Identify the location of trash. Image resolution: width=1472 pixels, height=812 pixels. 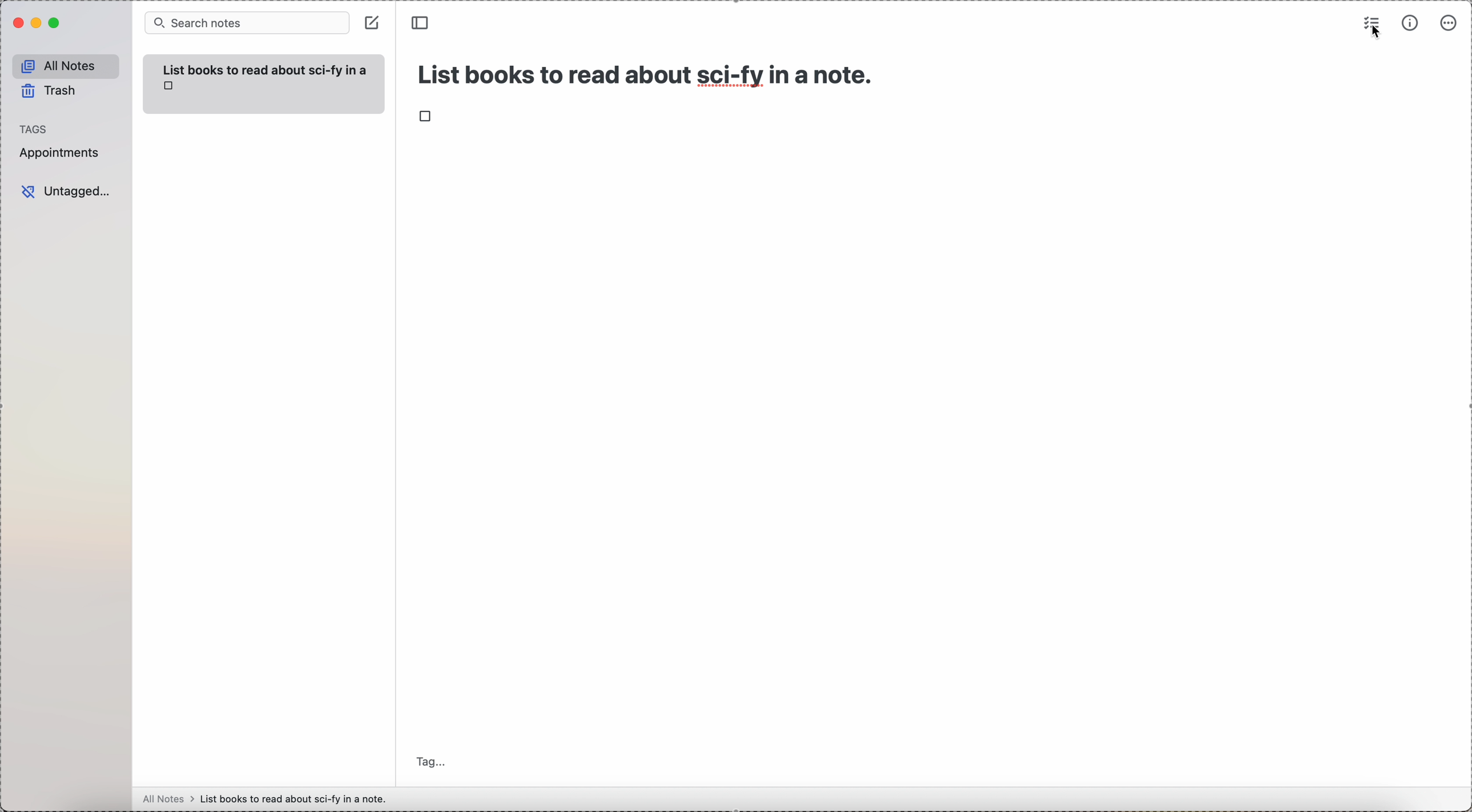
(50, 91).